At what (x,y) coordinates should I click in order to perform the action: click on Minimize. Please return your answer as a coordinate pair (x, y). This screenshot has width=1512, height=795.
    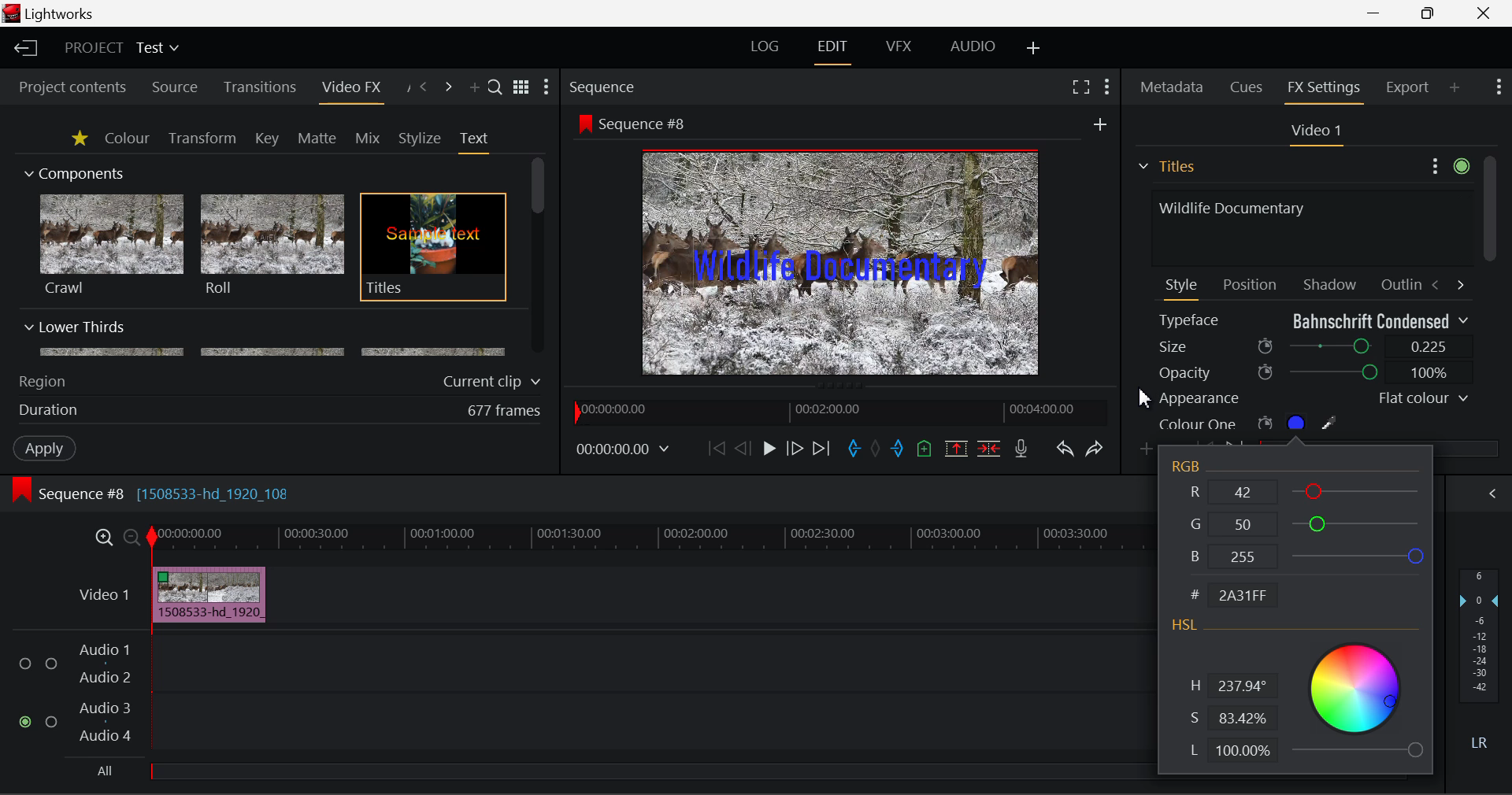
    Looking at the image, I should click on (1432, 12).